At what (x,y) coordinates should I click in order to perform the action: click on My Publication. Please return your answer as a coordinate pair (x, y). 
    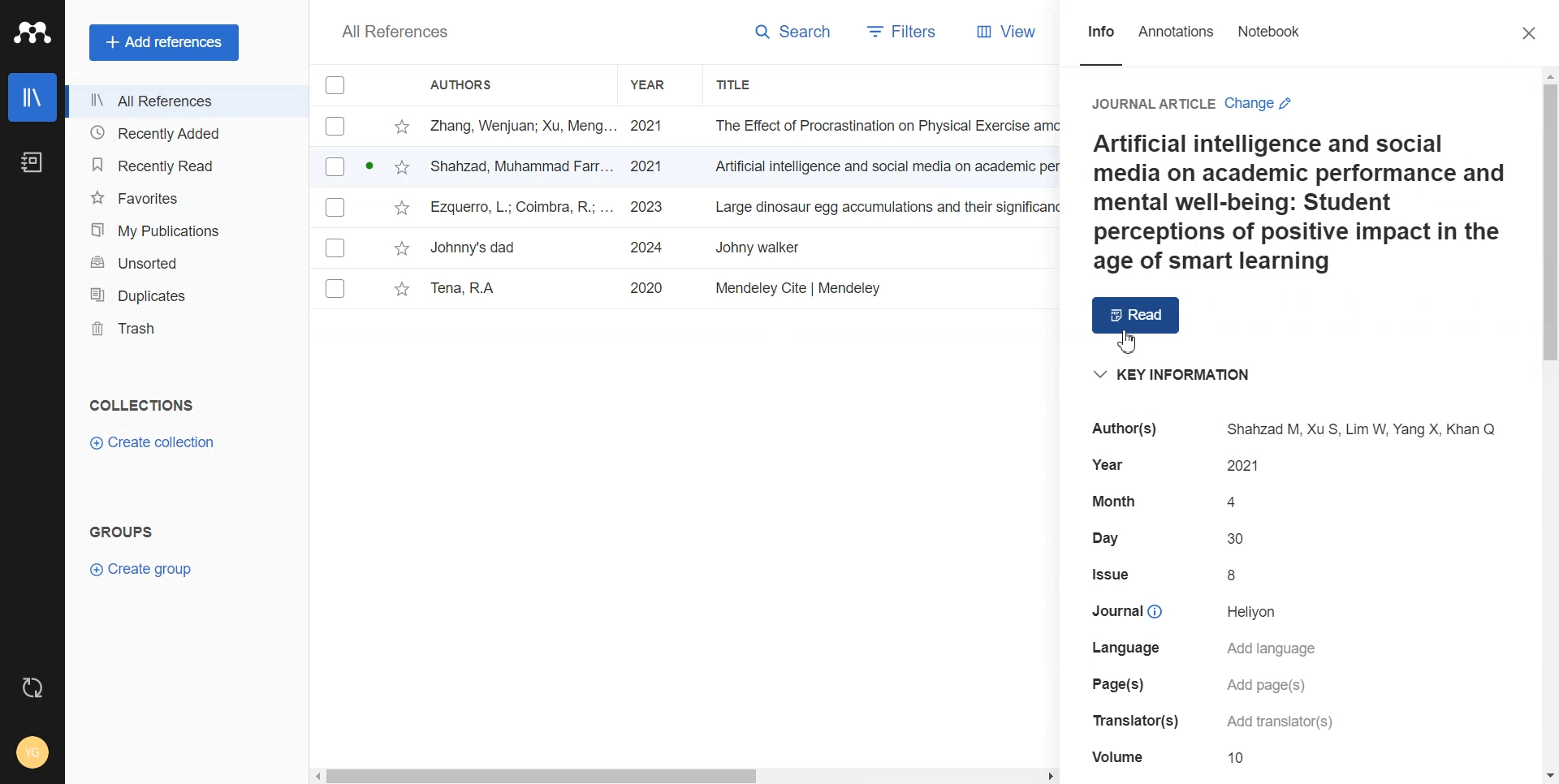
    Looking at the image, I should click on (184, 227).